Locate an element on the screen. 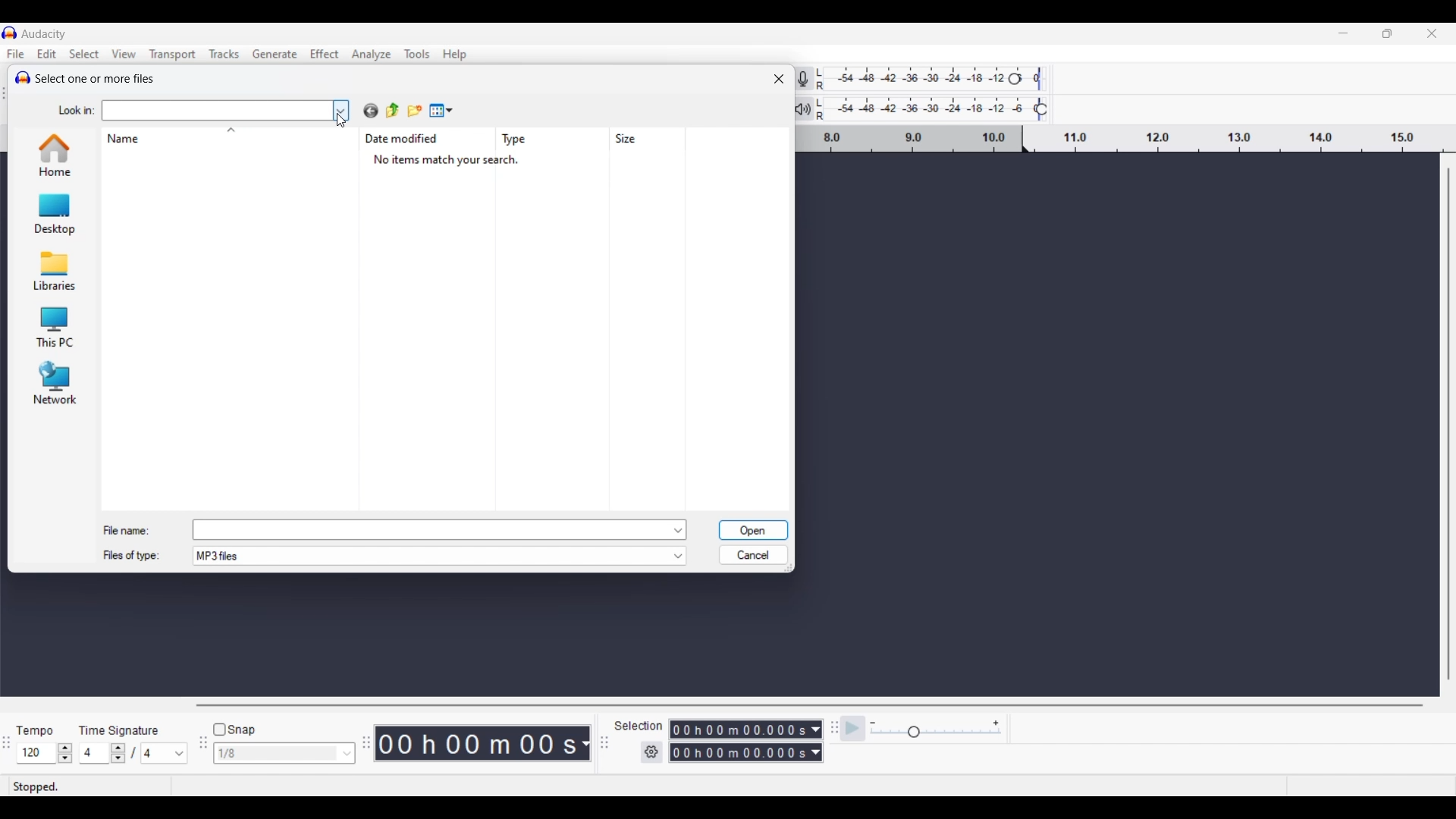 This screenshot has height=819, width=1456. Record meter is located at coordinates (813, 78).